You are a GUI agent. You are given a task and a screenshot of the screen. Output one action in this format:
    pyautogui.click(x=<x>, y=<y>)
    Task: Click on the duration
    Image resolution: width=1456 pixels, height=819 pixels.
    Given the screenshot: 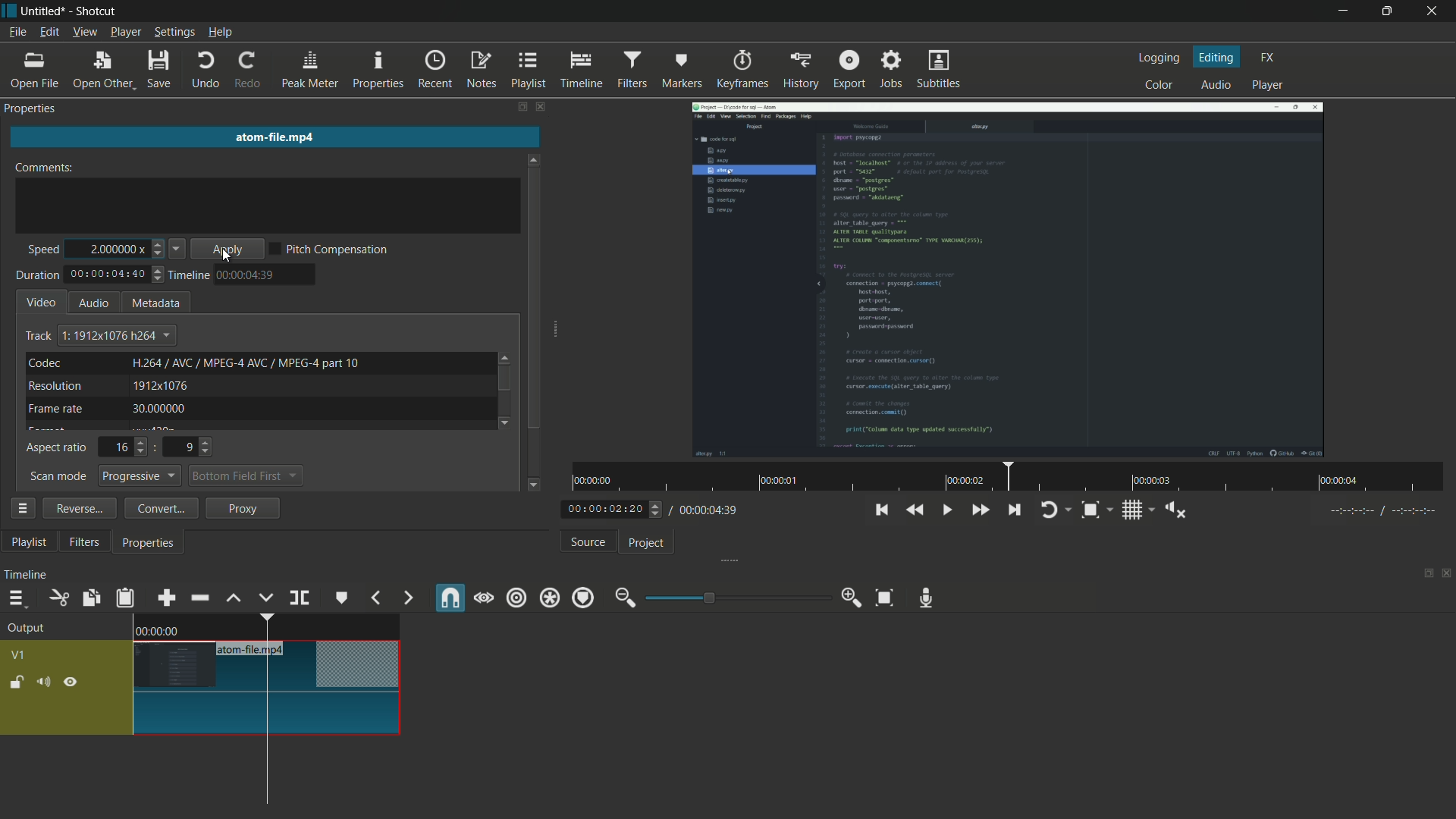 What is the action you would take?
    pyautogui.click(x=37, y=275)
    